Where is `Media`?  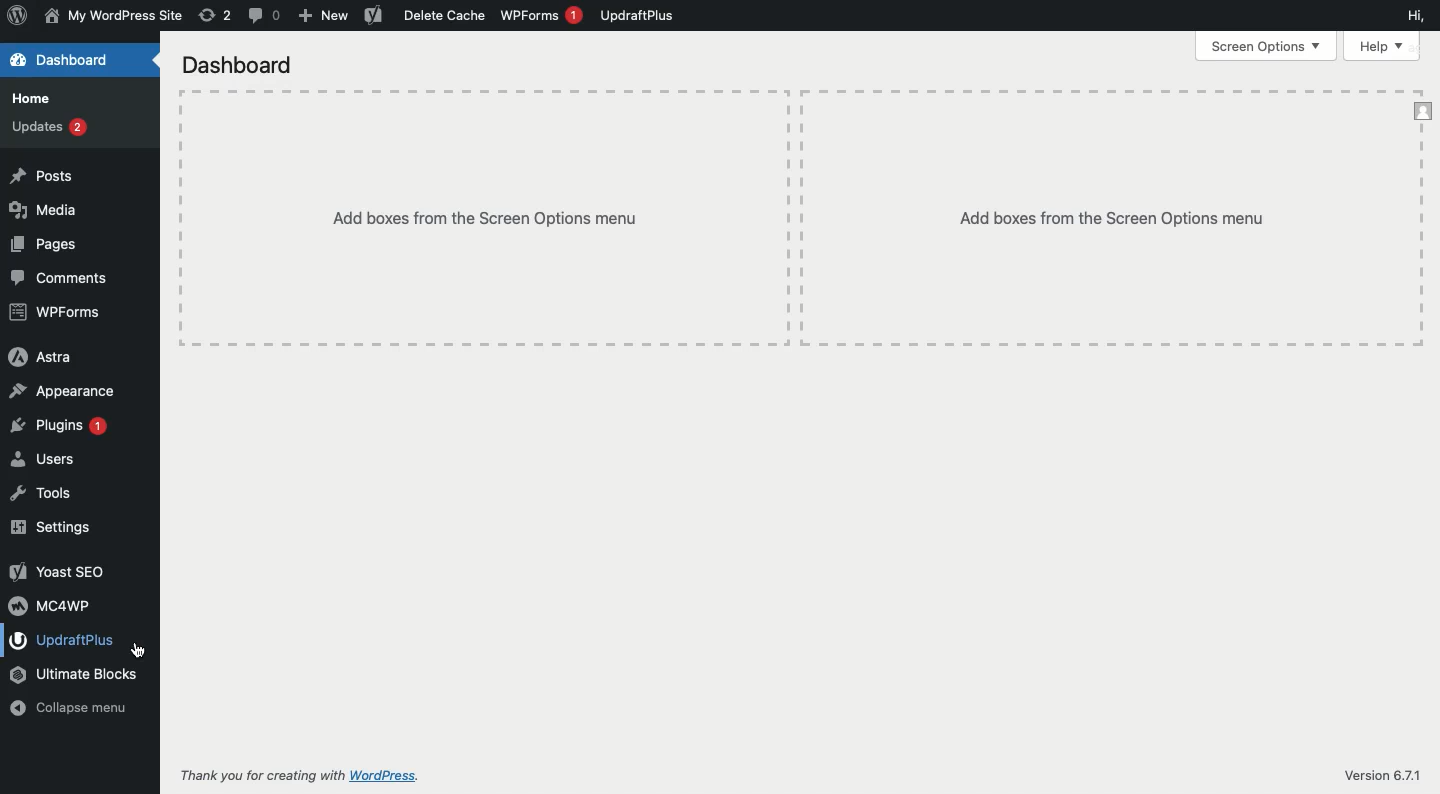 Media is located at coordinates (47, 208).